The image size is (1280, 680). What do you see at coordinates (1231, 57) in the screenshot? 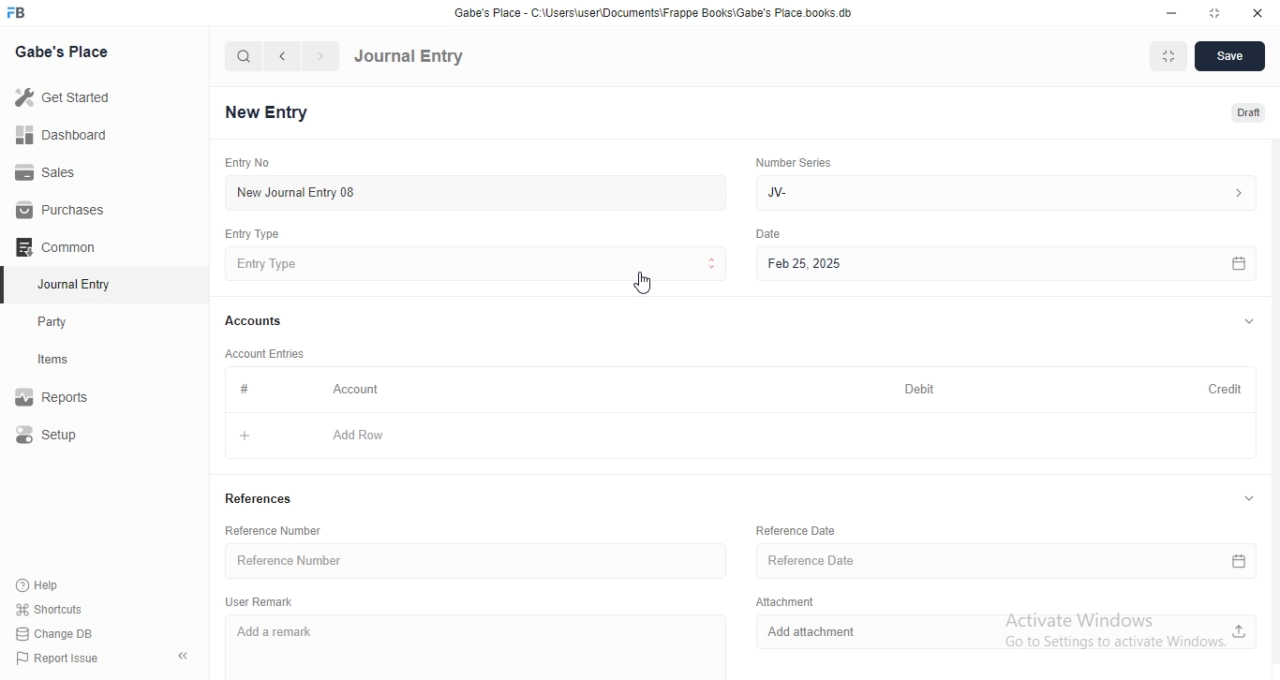
I see `Save` at bounding box center [1231, 57].